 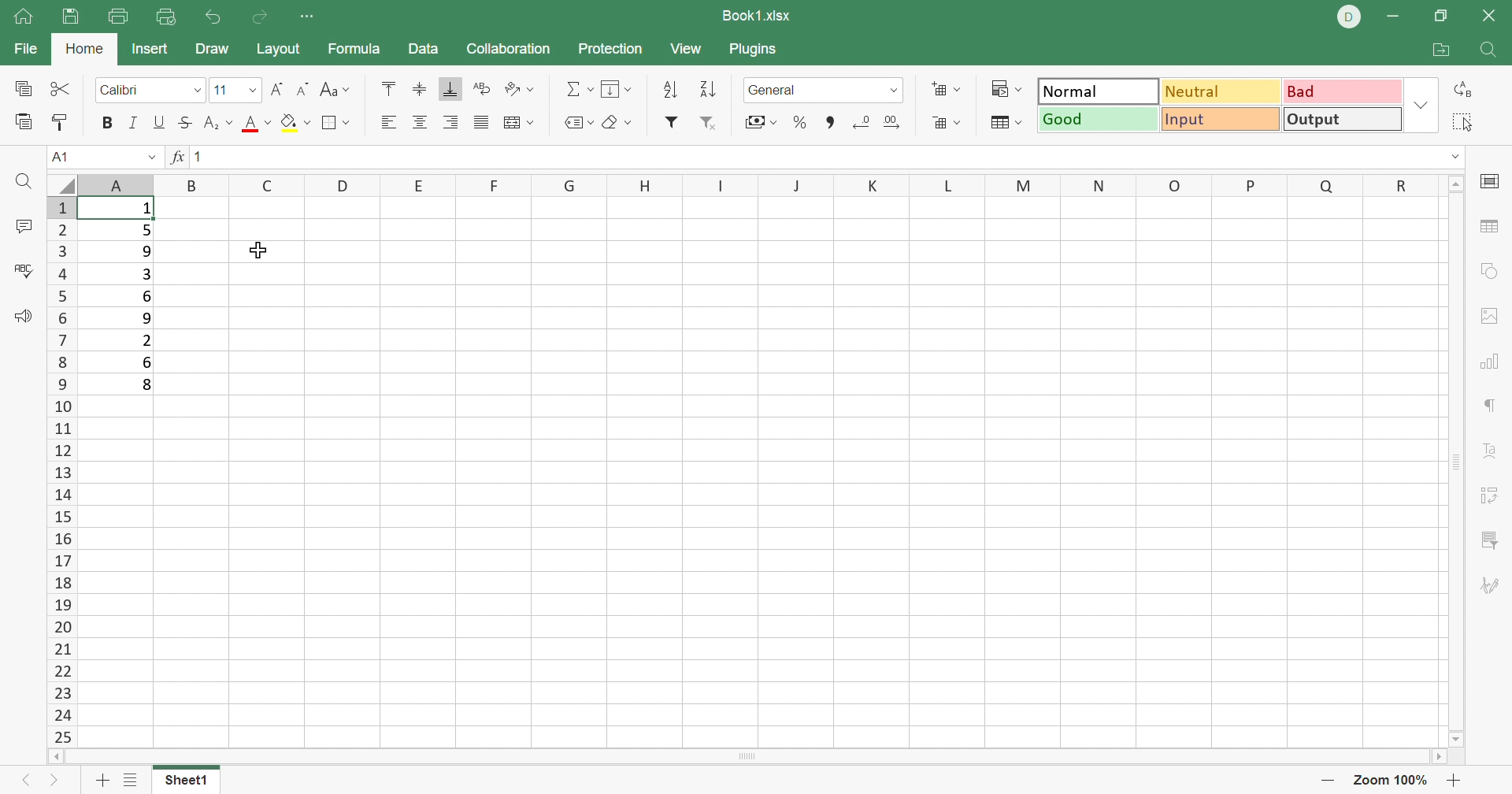 What do you see at coordinates (1401, 14) in the screenshot?
I see `Minimize` at bounding box center [1401, 14].